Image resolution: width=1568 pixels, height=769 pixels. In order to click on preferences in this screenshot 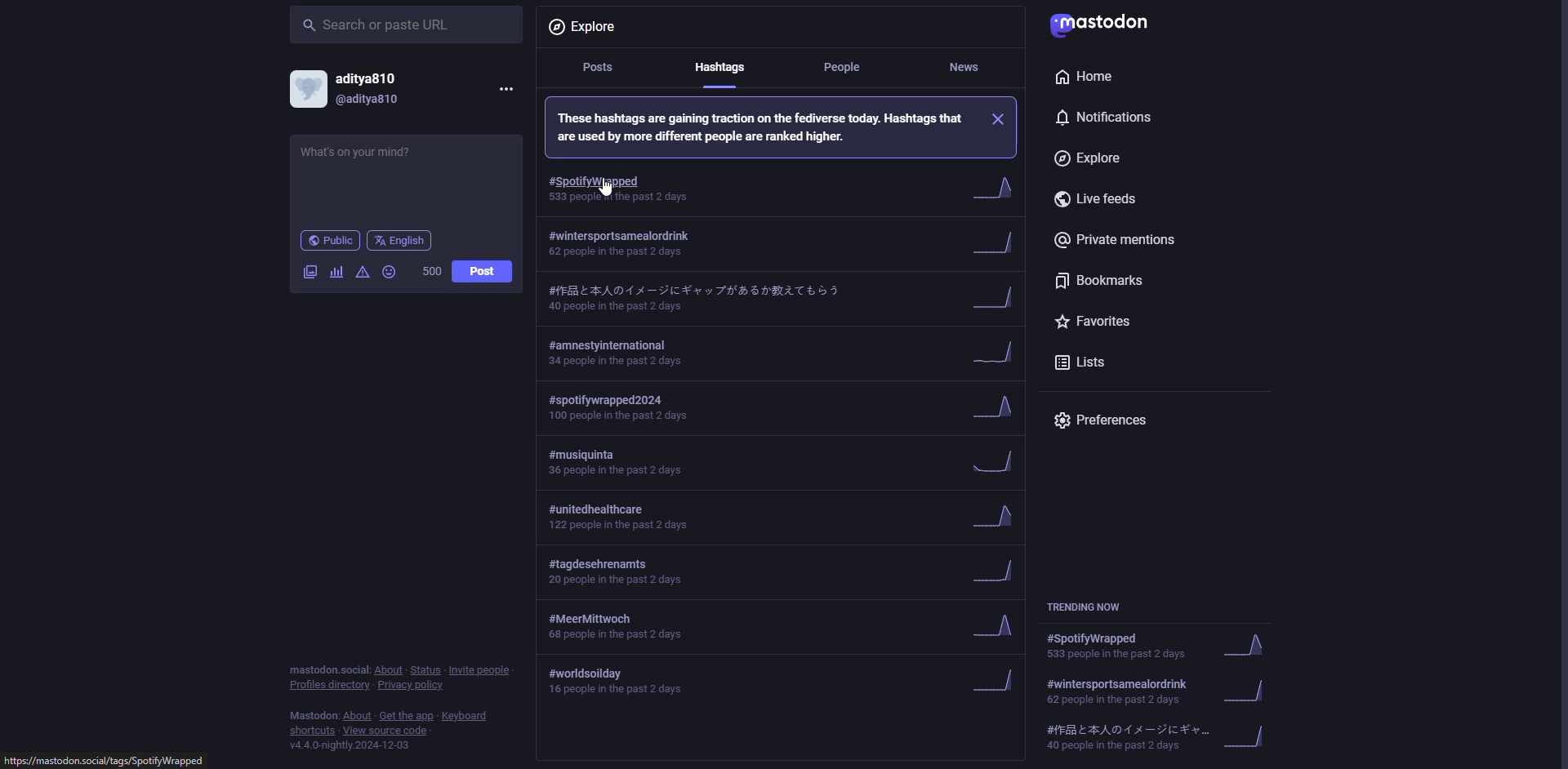, I will do `click(1108, 420)`.